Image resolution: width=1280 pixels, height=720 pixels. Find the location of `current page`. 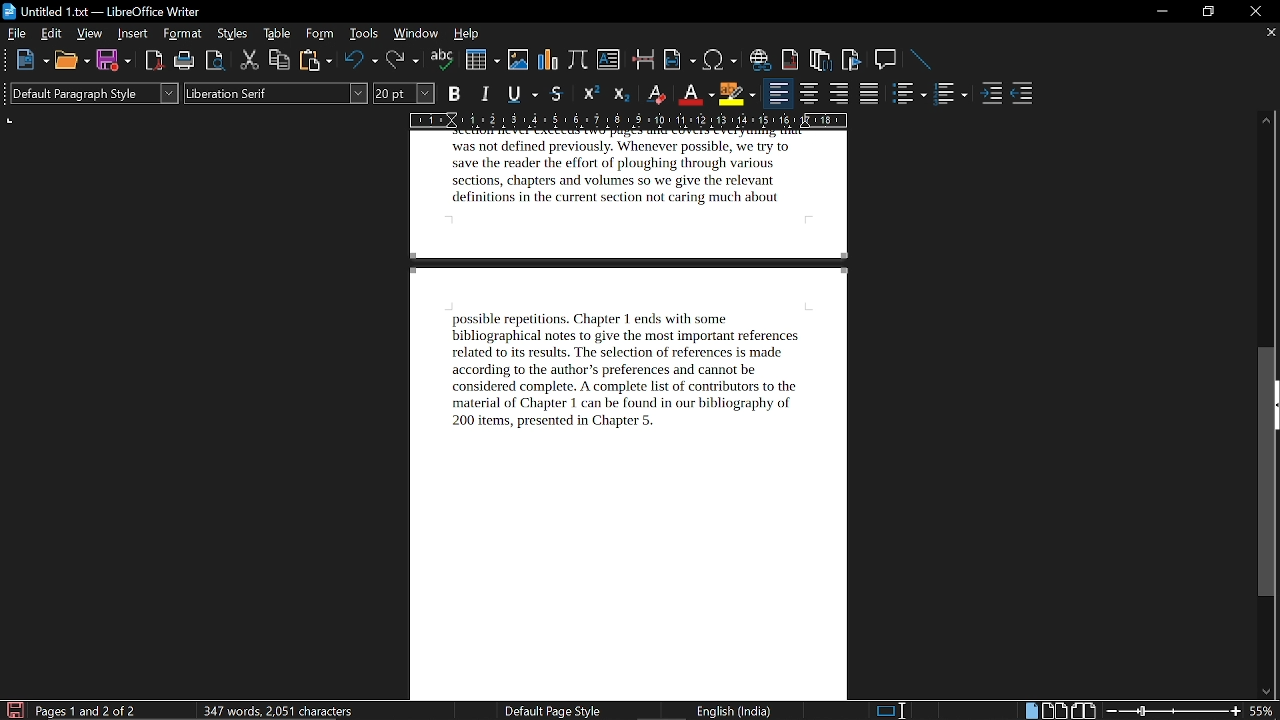

current page is located at coordinates (87, 710).